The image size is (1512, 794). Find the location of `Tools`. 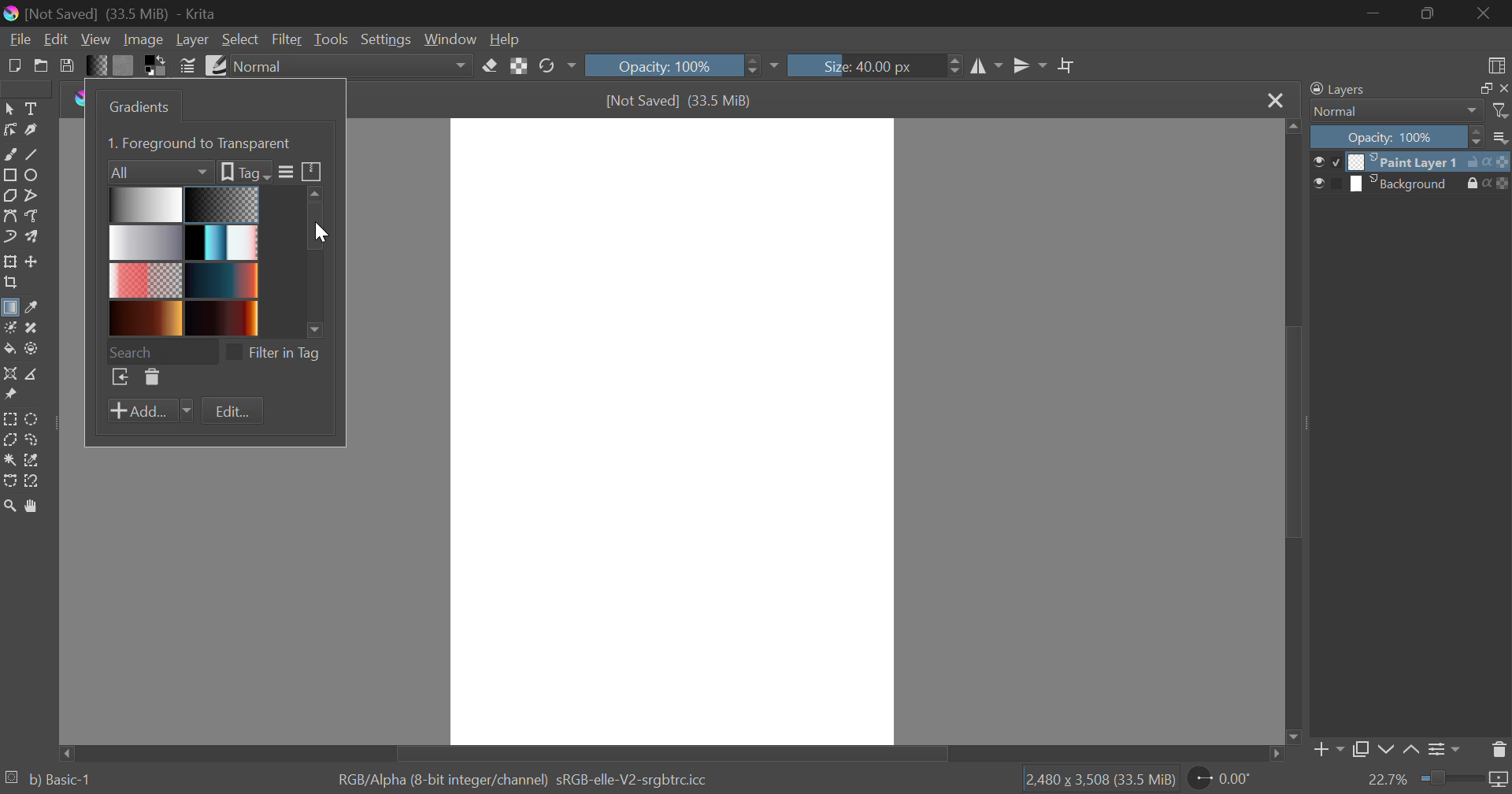

Tools is located at coordinates (331, 39).